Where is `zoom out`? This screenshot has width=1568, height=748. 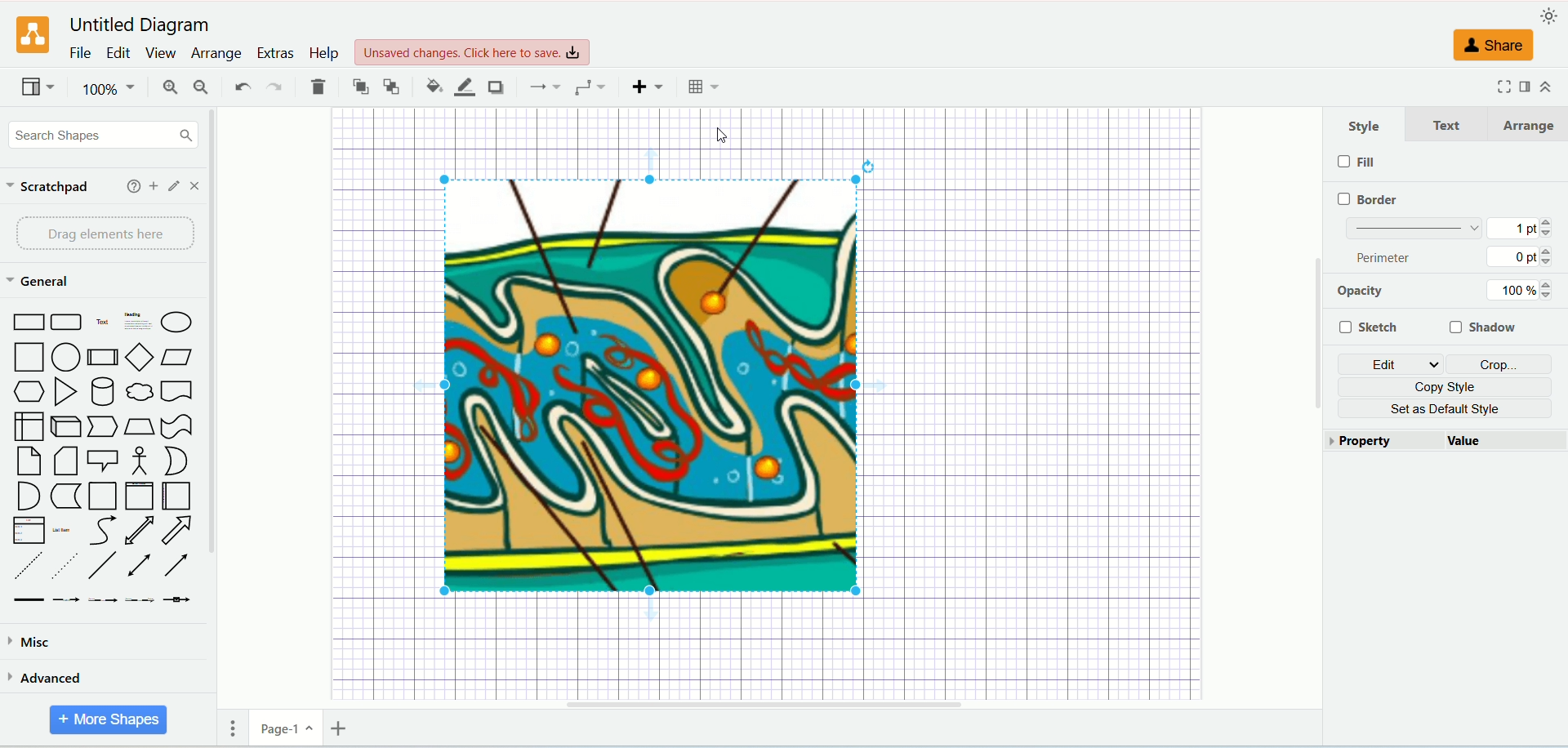 zoom out is located at coordinates (198, 89).